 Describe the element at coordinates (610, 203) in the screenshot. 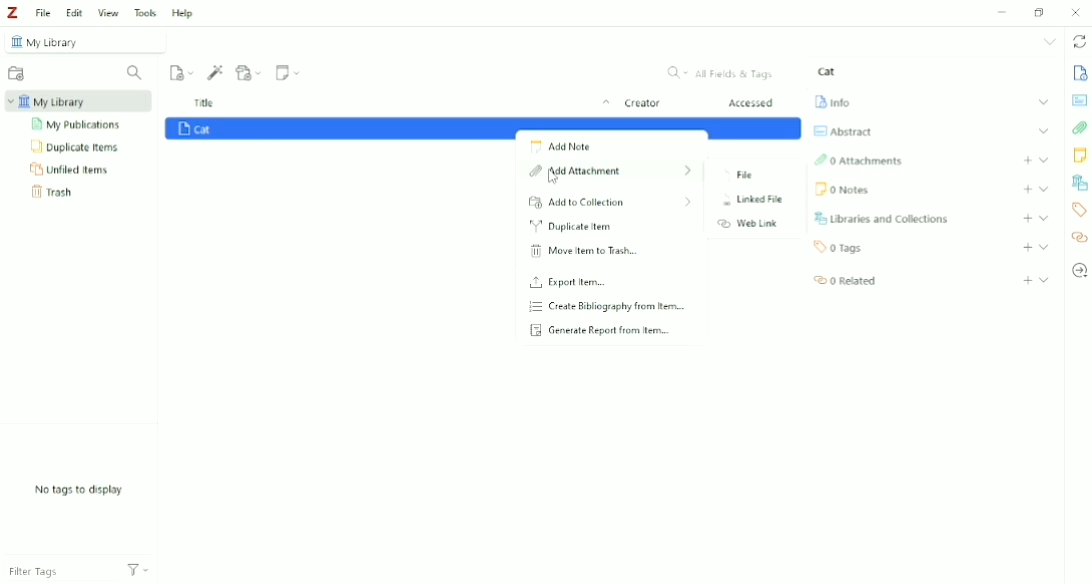

I see `Add to Collection` at that location.